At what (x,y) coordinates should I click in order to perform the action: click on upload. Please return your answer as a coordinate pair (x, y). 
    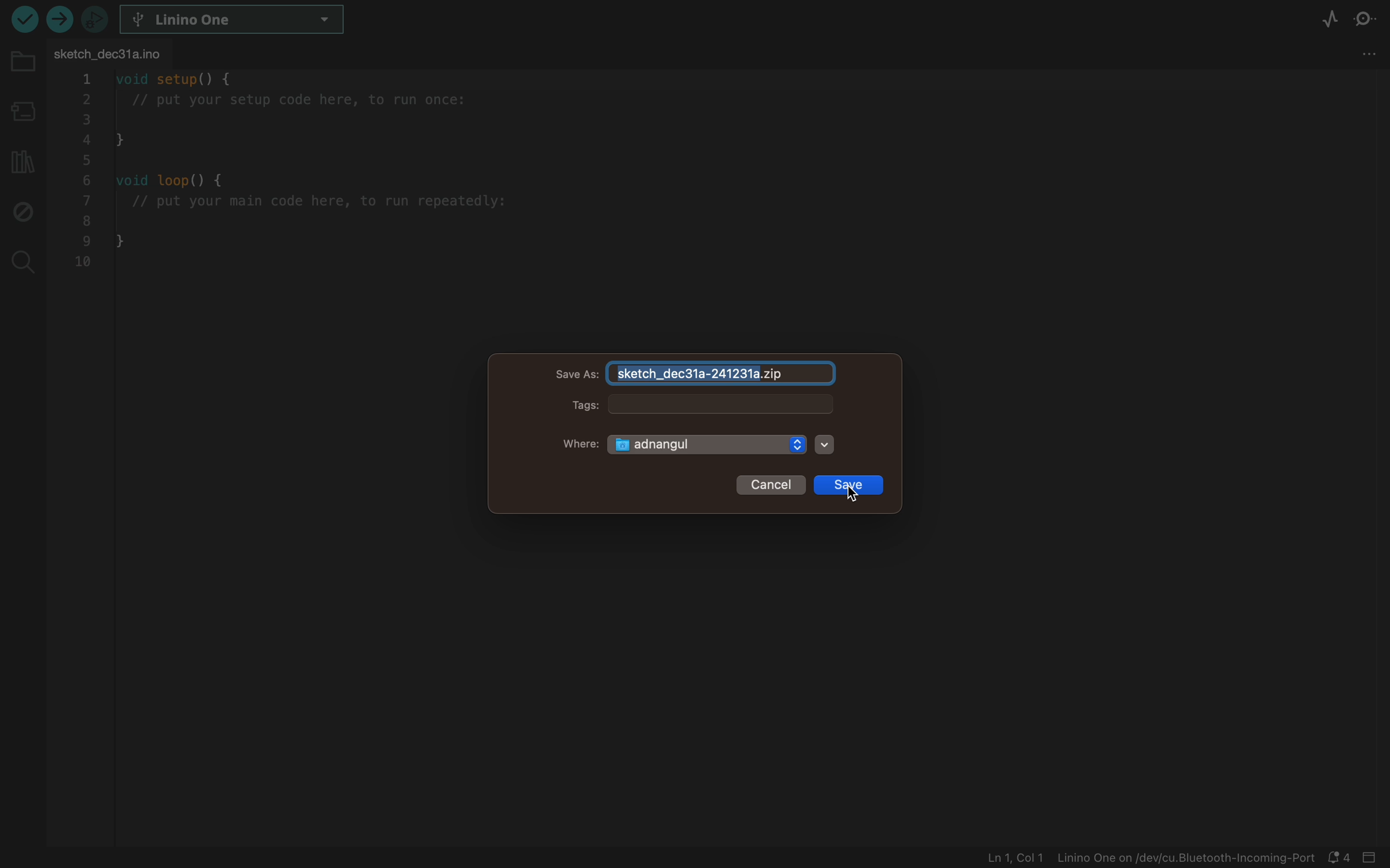
    Looking at the image, I should click on (21, 24).